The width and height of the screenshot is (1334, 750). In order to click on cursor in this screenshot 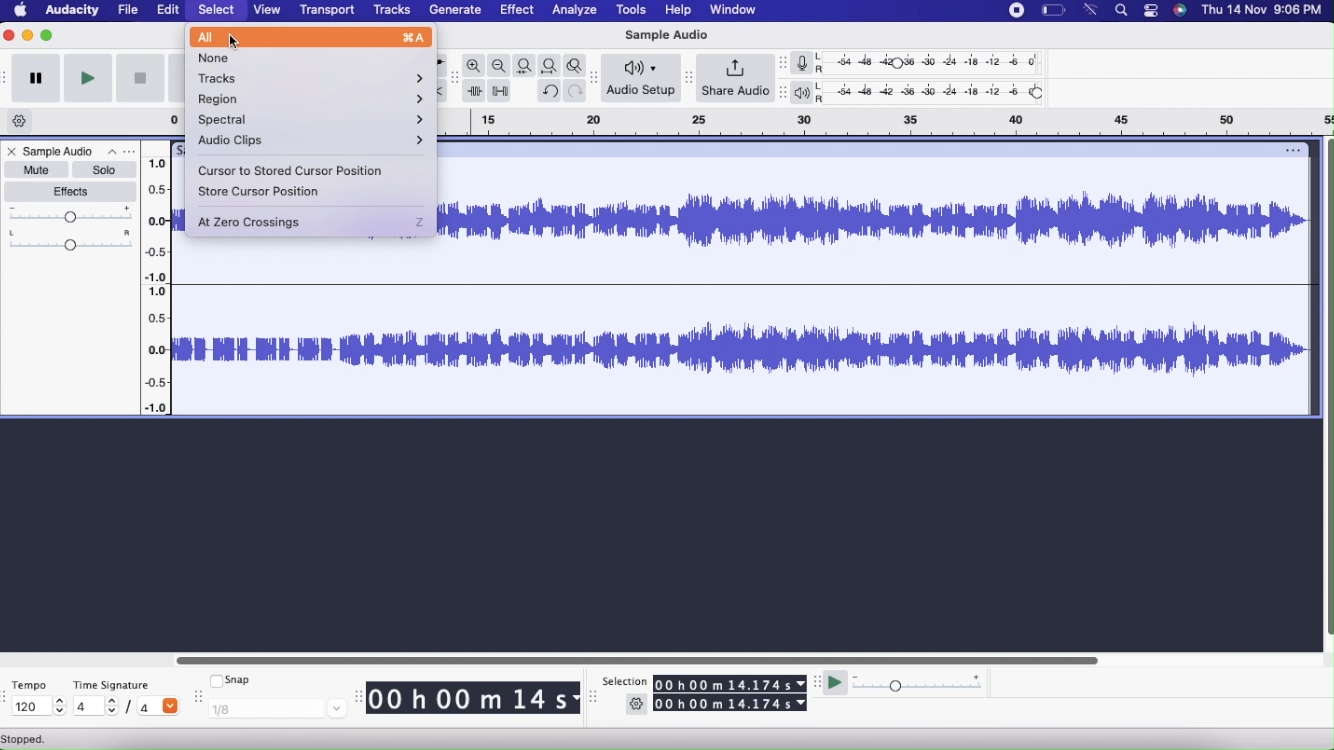, I will do `click(236, 42)`.